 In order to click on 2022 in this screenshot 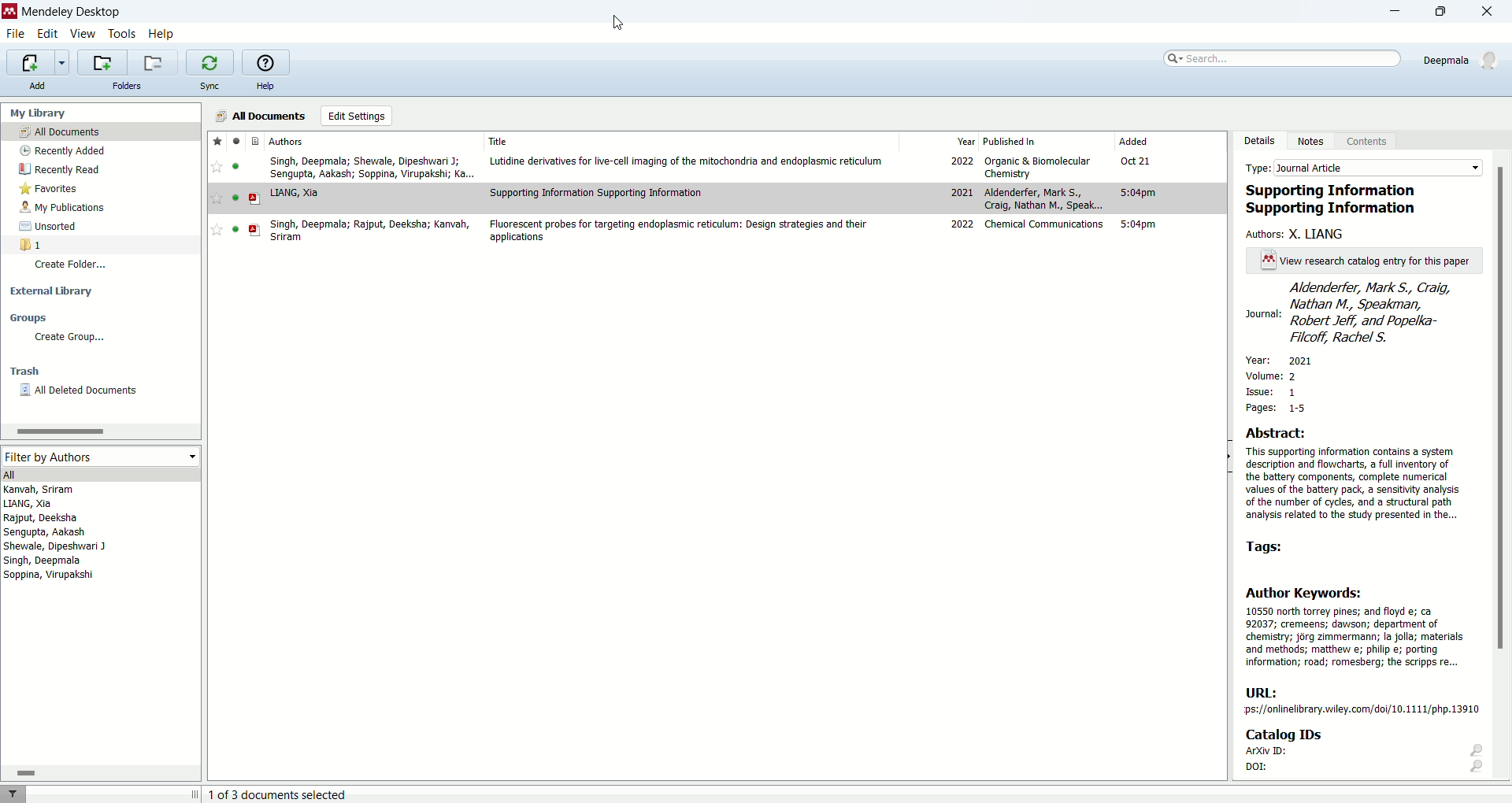, I will do `click(963, 224)`.